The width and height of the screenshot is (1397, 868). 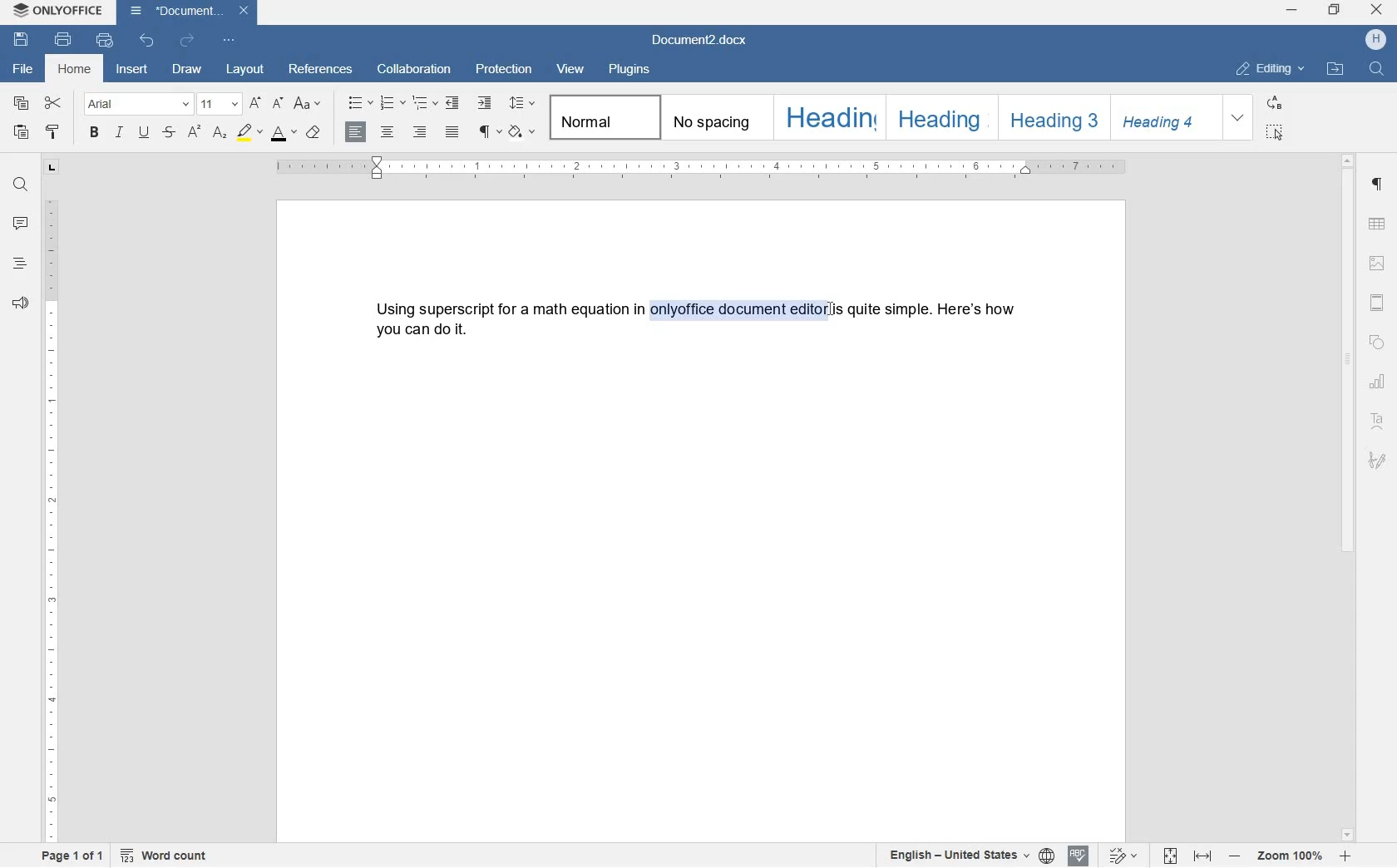 I want to click on HEADING 1, so click(x=827, y=118).